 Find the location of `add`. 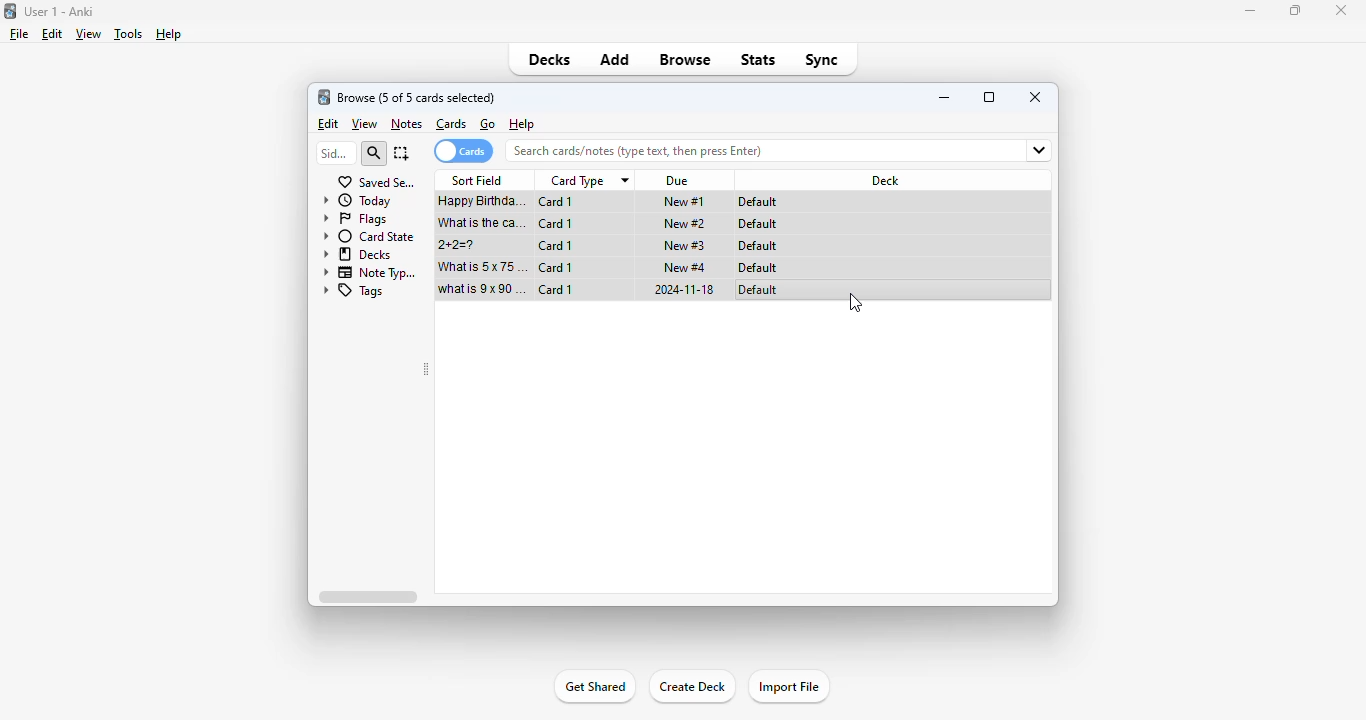

add is located at coordinates (616, 60).